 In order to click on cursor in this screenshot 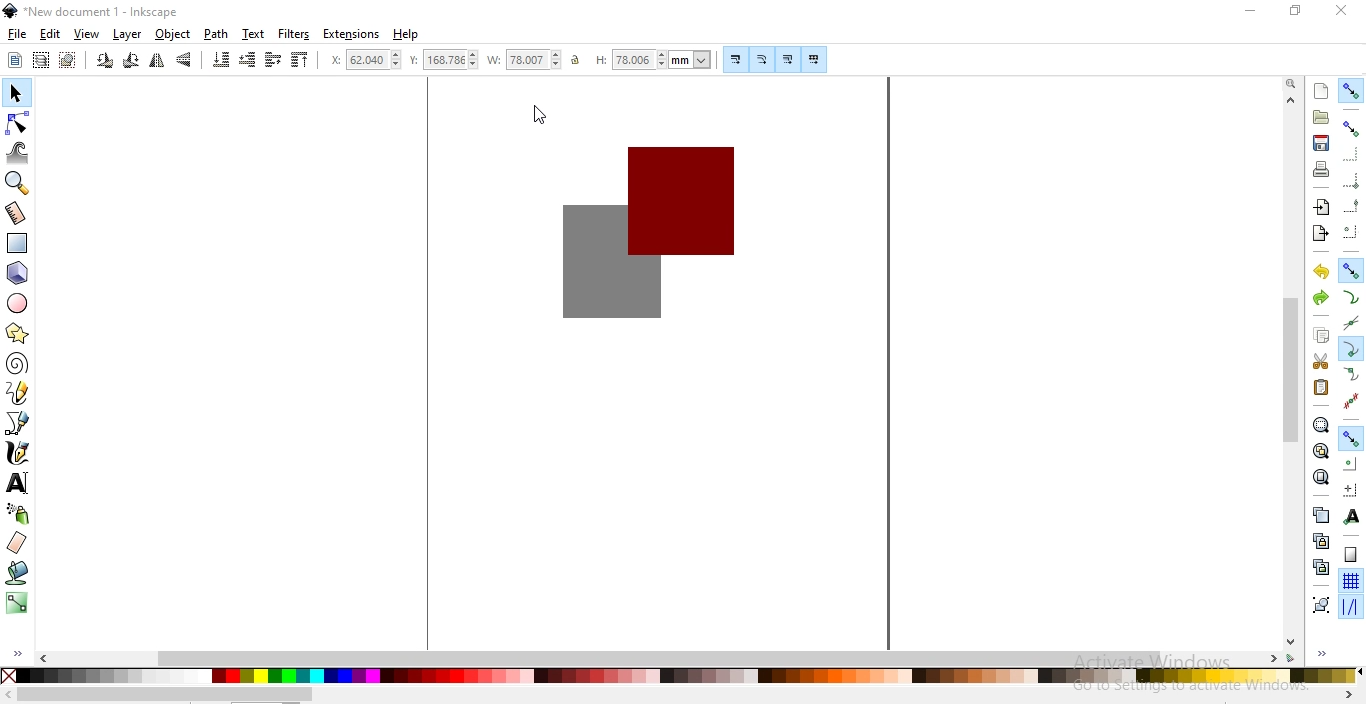, I will do `click(542, 113)`.